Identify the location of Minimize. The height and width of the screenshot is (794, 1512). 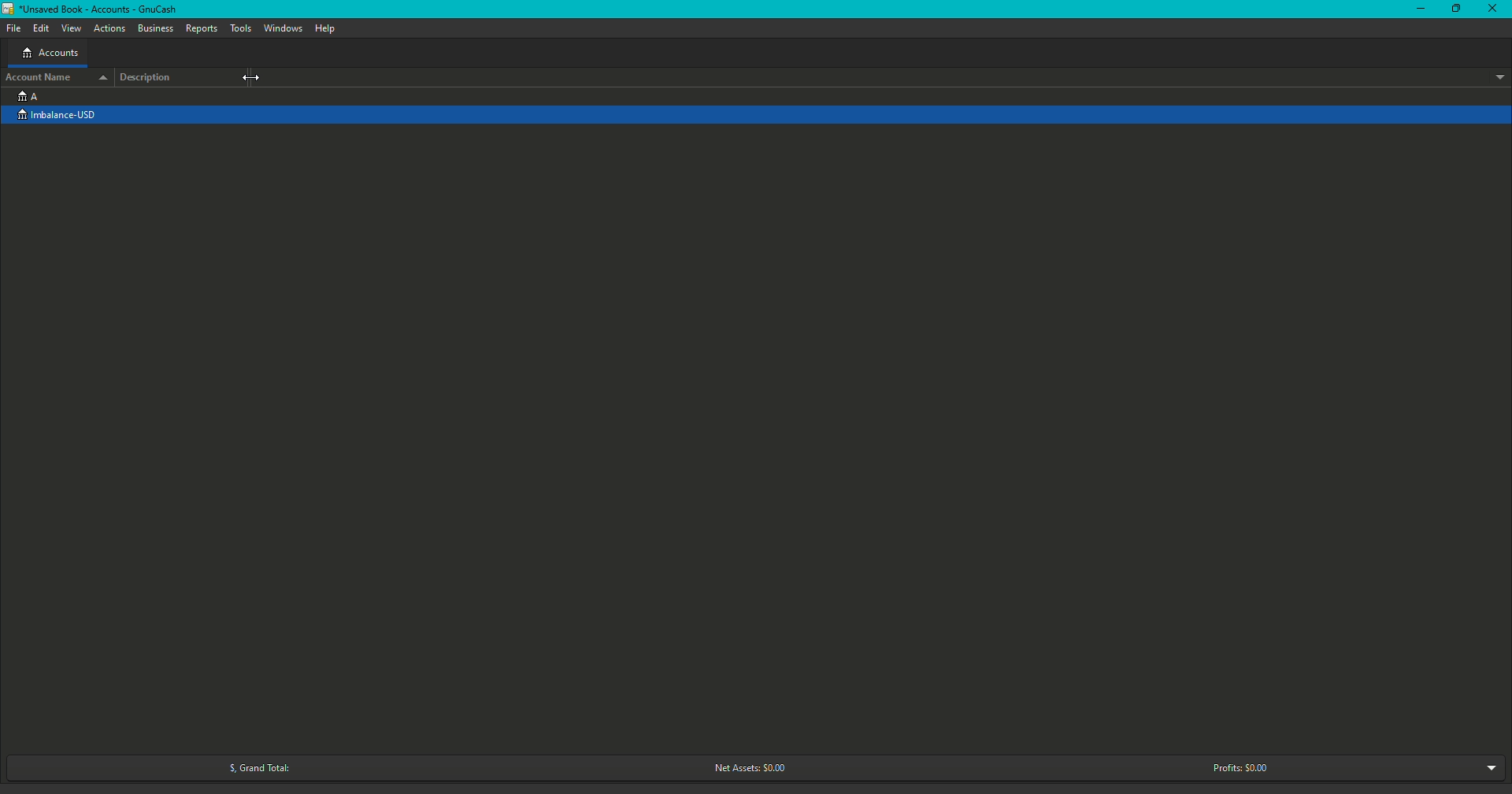
(1421, 9).